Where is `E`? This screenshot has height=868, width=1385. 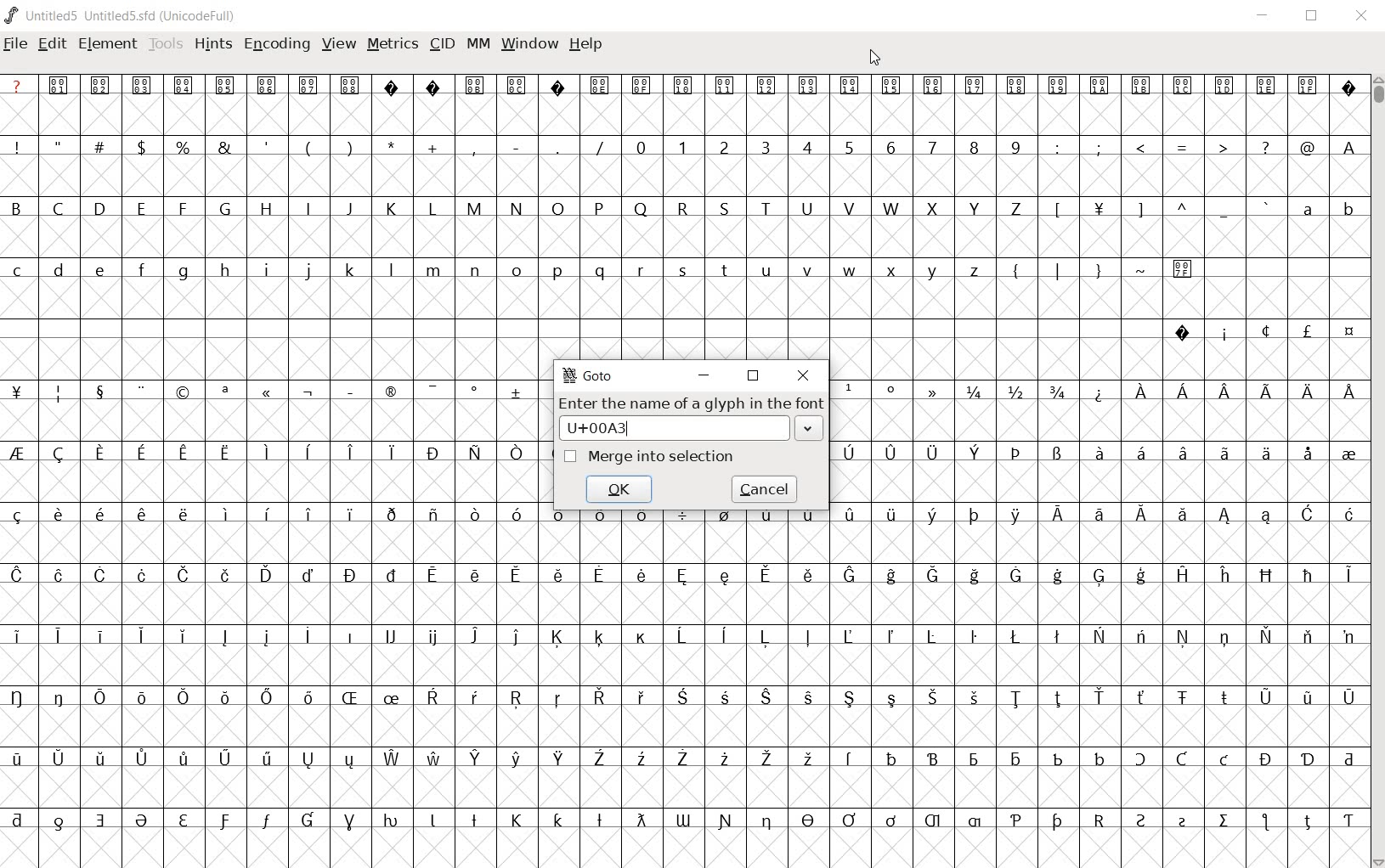
E is located at coordinates (140, 208).